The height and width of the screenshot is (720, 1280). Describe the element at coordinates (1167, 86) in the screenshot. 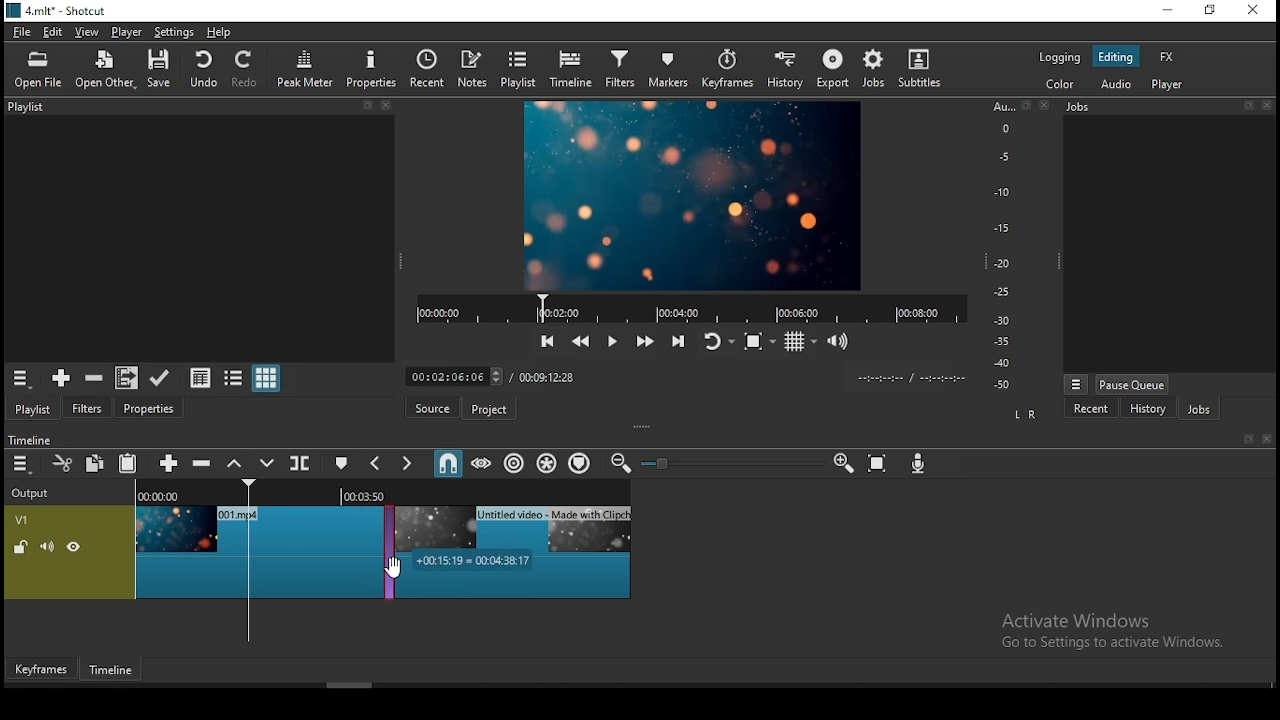

I see `player` at that location.